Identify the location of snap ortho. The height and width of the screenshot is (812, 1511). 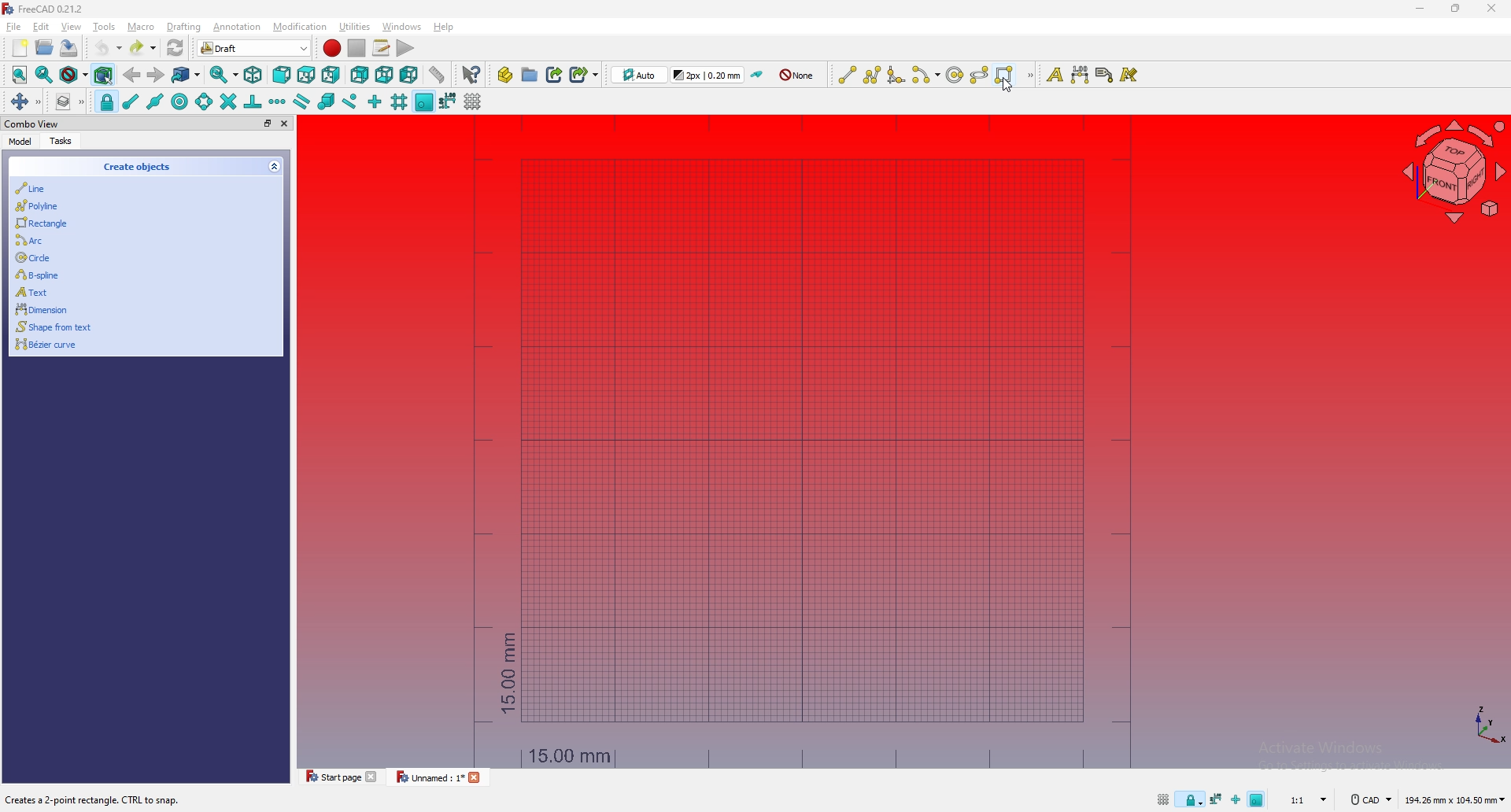
(375, 102).